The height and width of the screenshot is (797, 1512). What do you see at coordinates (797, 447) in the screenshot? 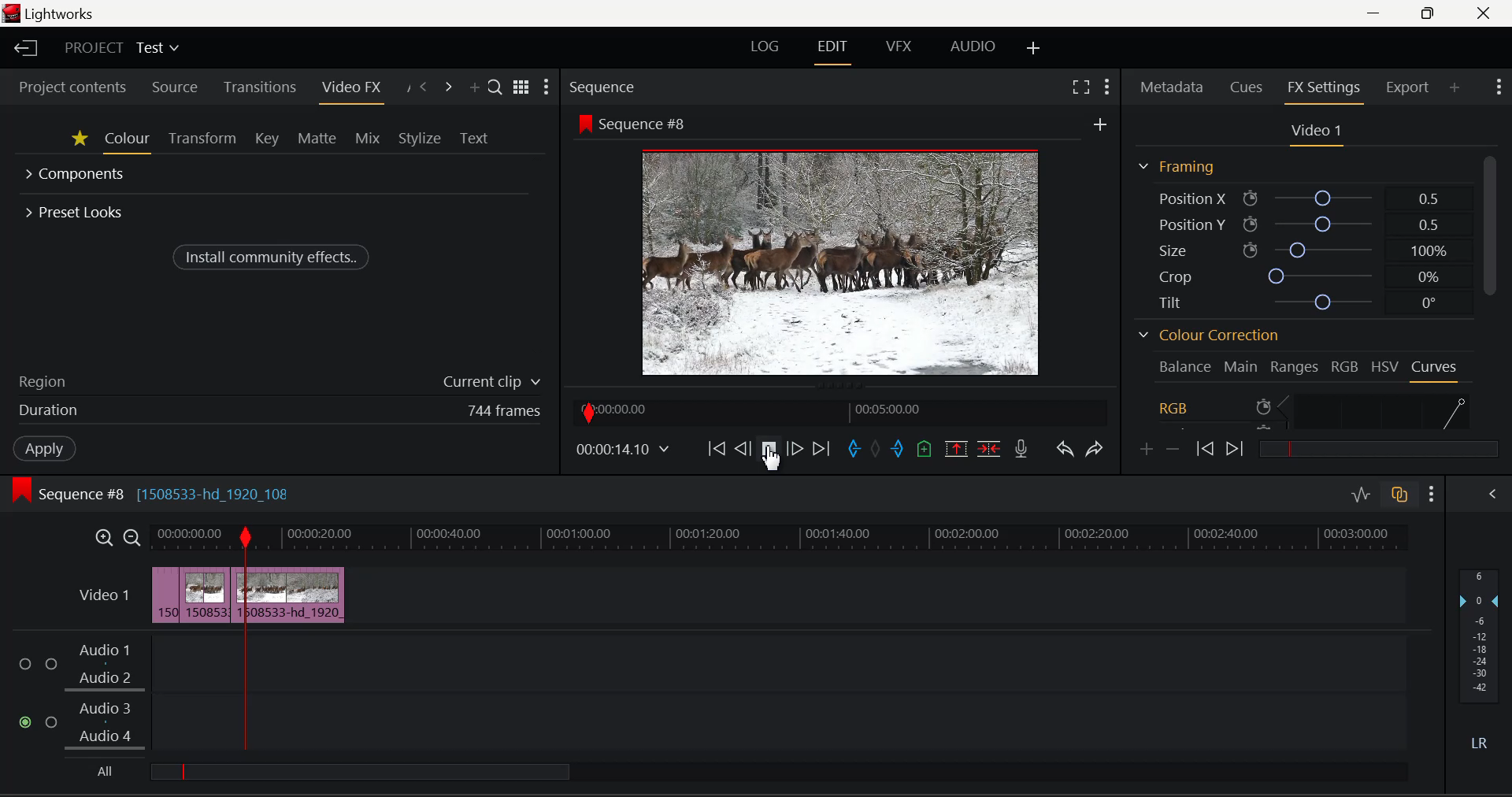
I see `Go Forward` at bounding box center [797, 447].